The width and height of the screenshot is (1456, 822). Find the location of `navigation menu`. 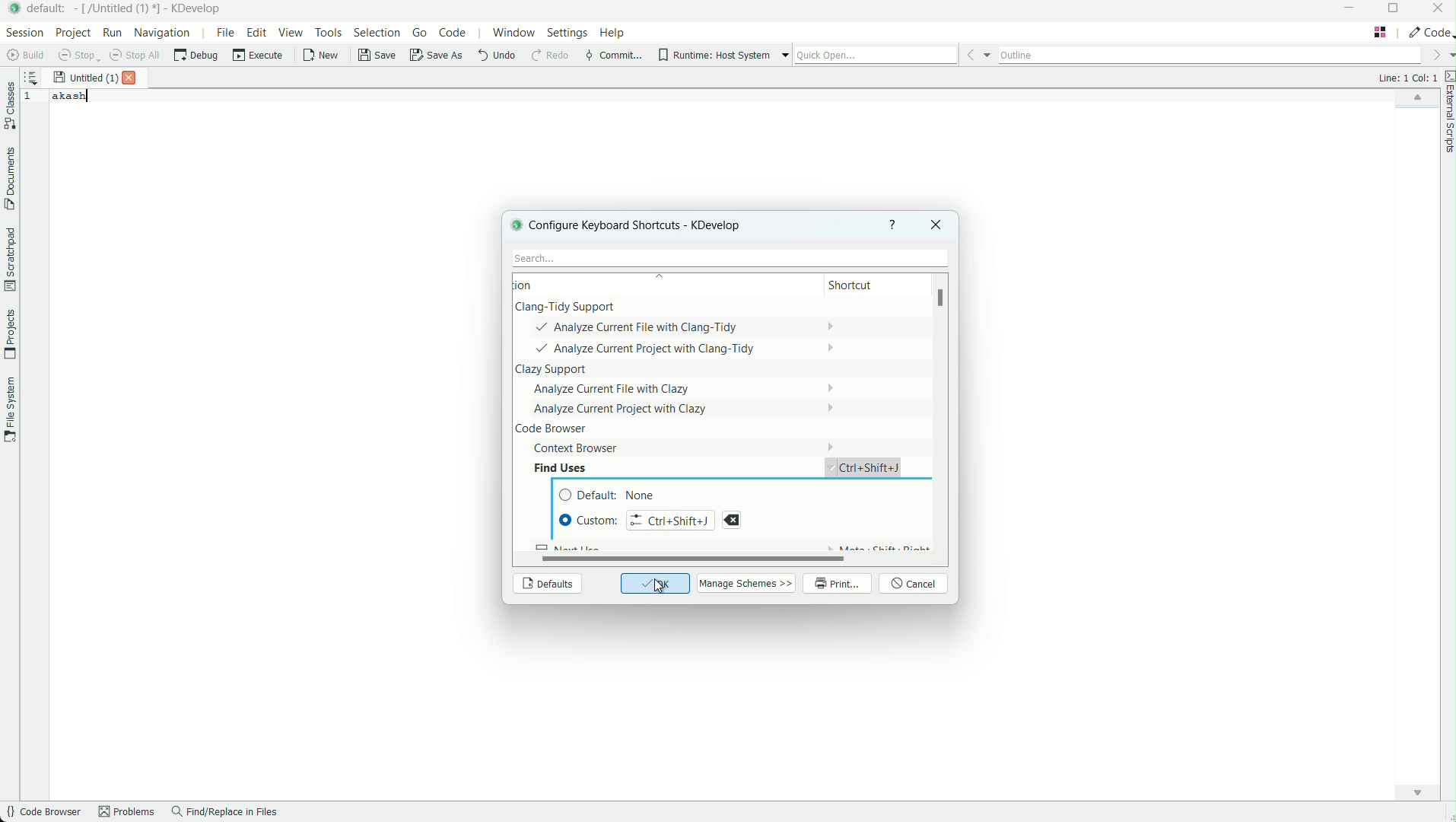

navigation menu is located at coordinates (163, 32).